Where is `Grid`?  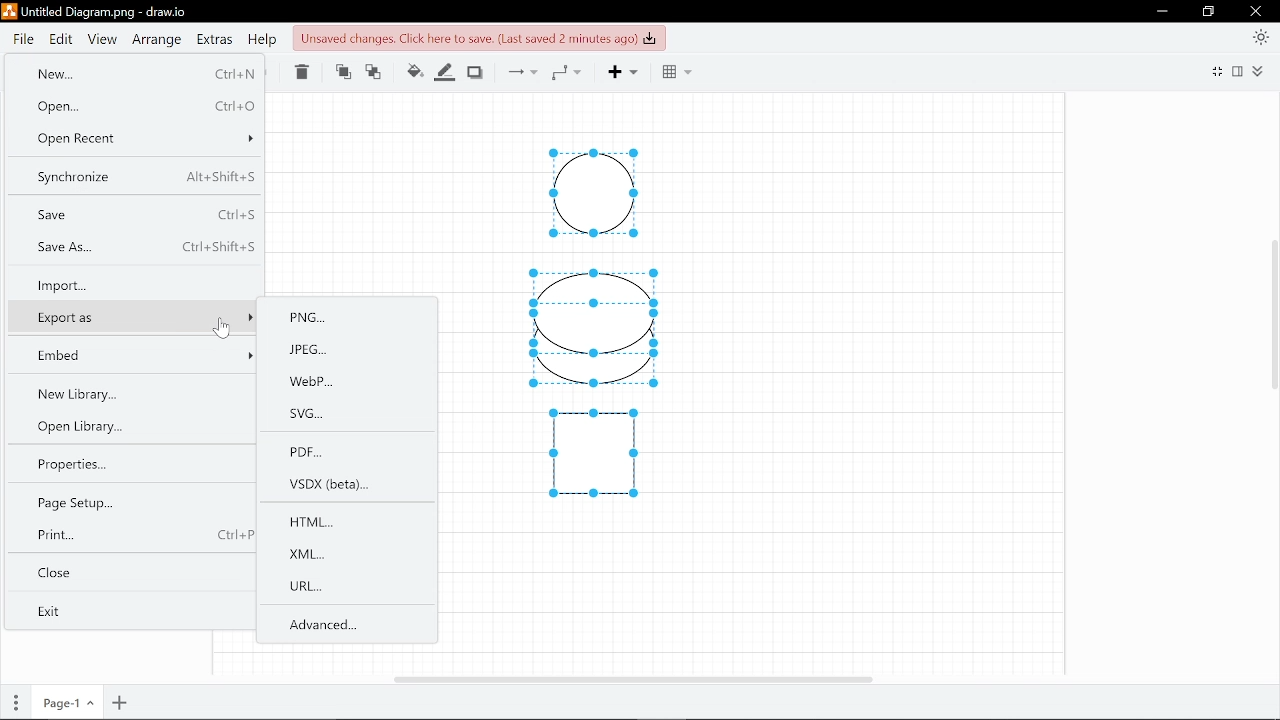 Grid is located at coordinates (675, 72).